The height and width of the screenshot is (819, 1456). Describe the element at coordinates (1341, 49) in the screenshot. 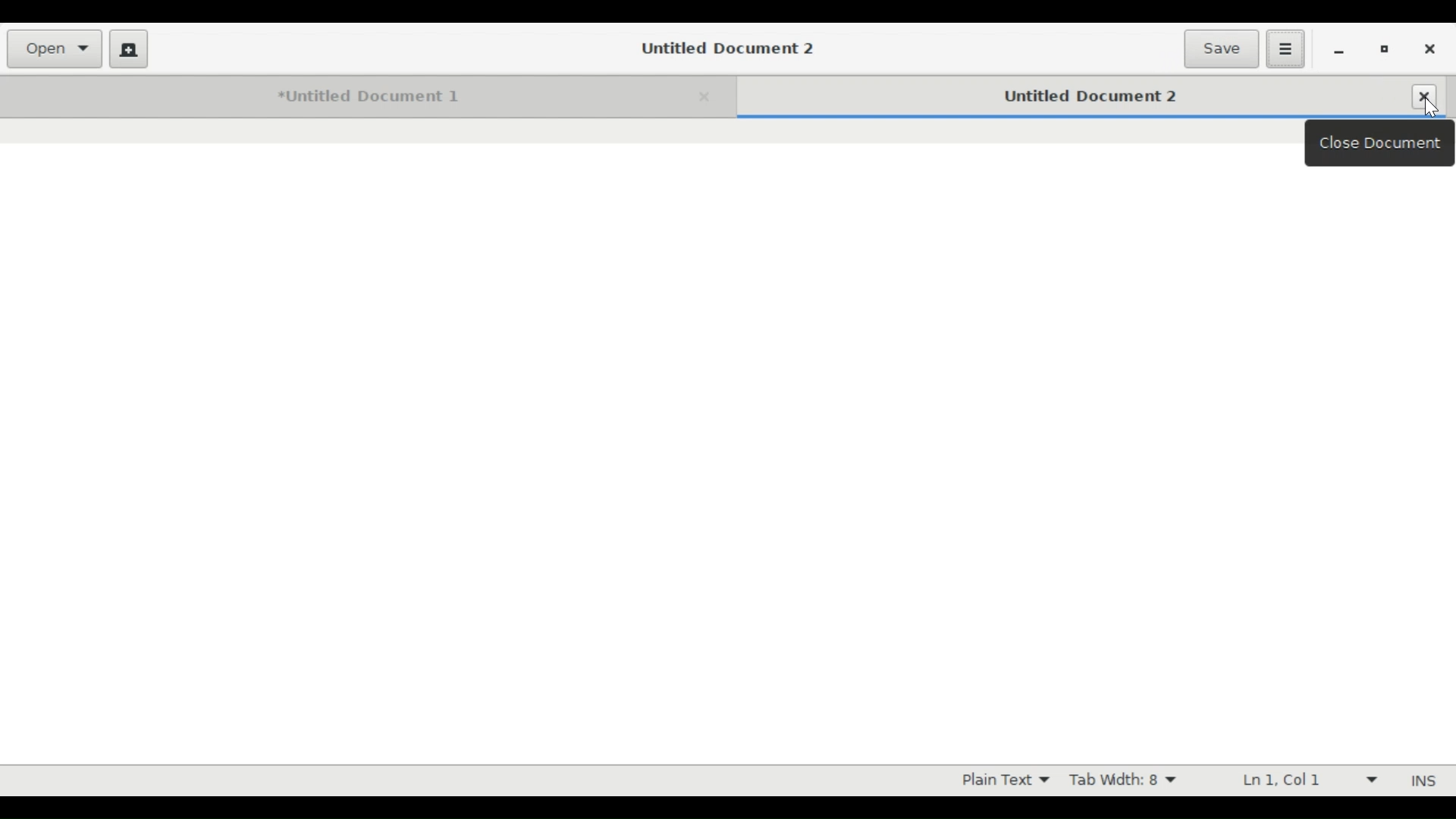

I see `minimize` at that location.